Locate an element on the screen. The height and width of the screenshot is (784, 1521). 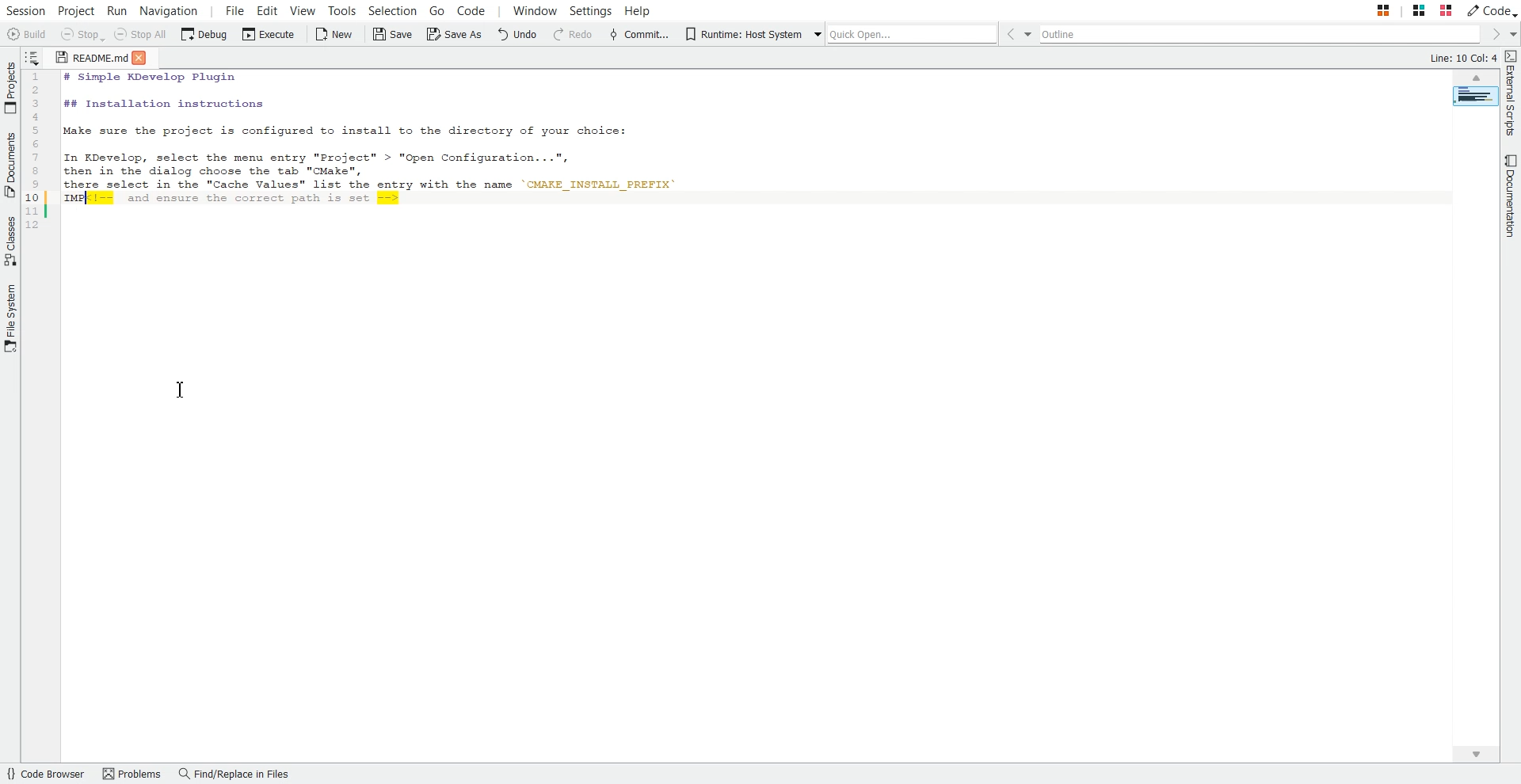
File System is located at coordinates (10, 319).